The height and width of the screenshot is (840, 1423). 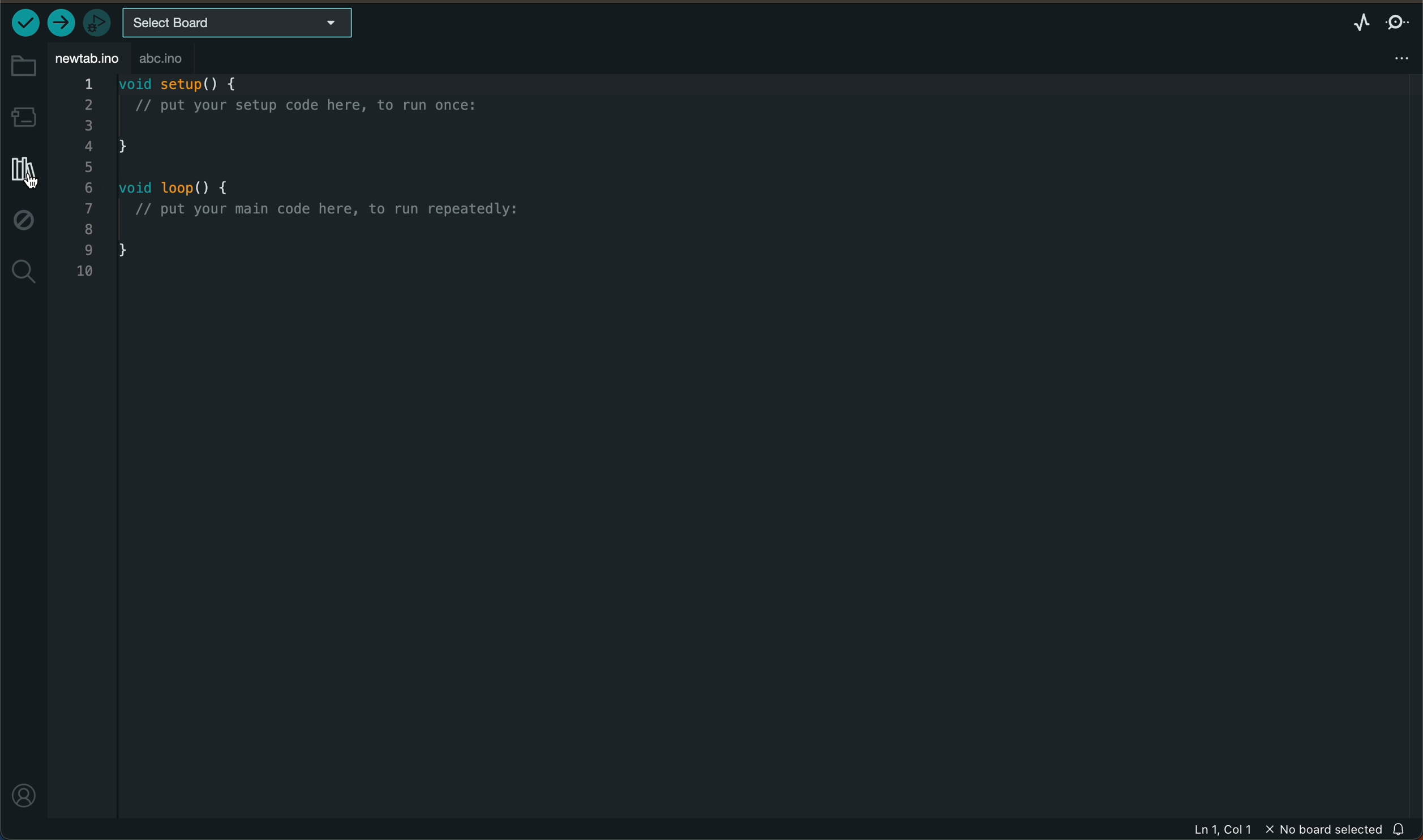 What do you see at coordinates (305, 179) in the screenshot?
I see `code` at bounding box center [305, 179].